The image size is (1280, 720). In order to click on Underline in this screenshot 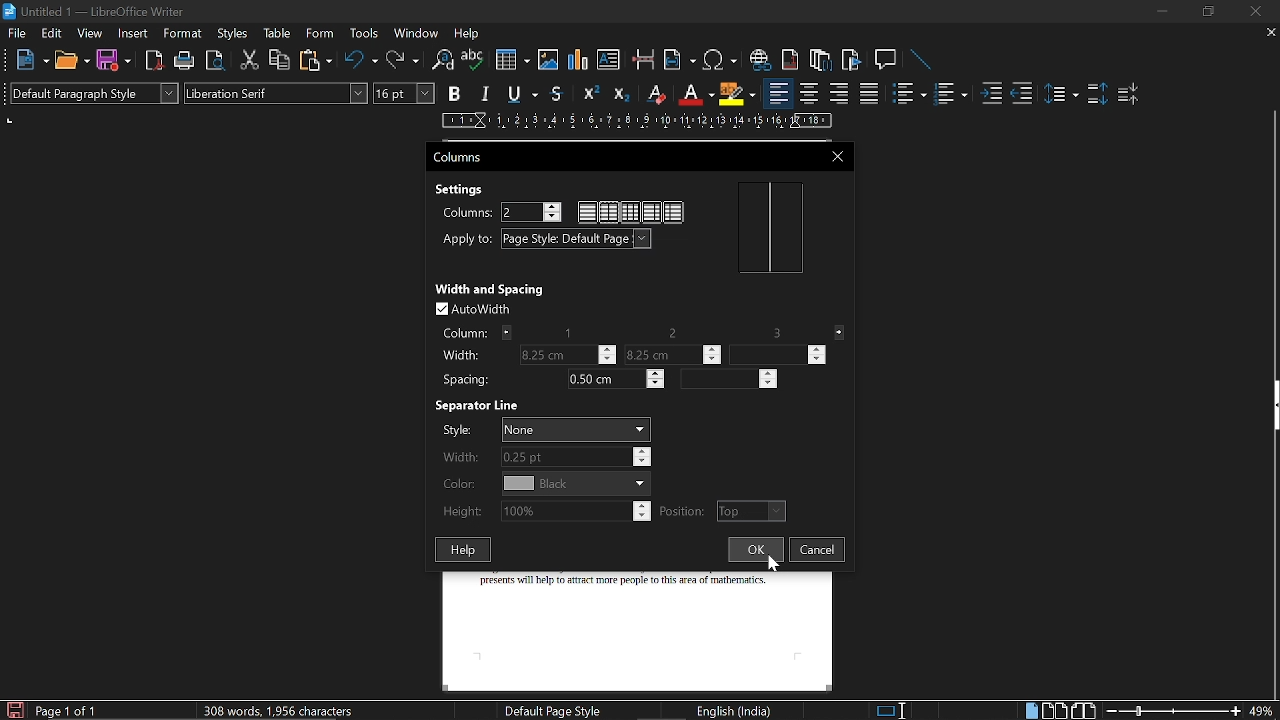, I will do `click(695, 95)`.